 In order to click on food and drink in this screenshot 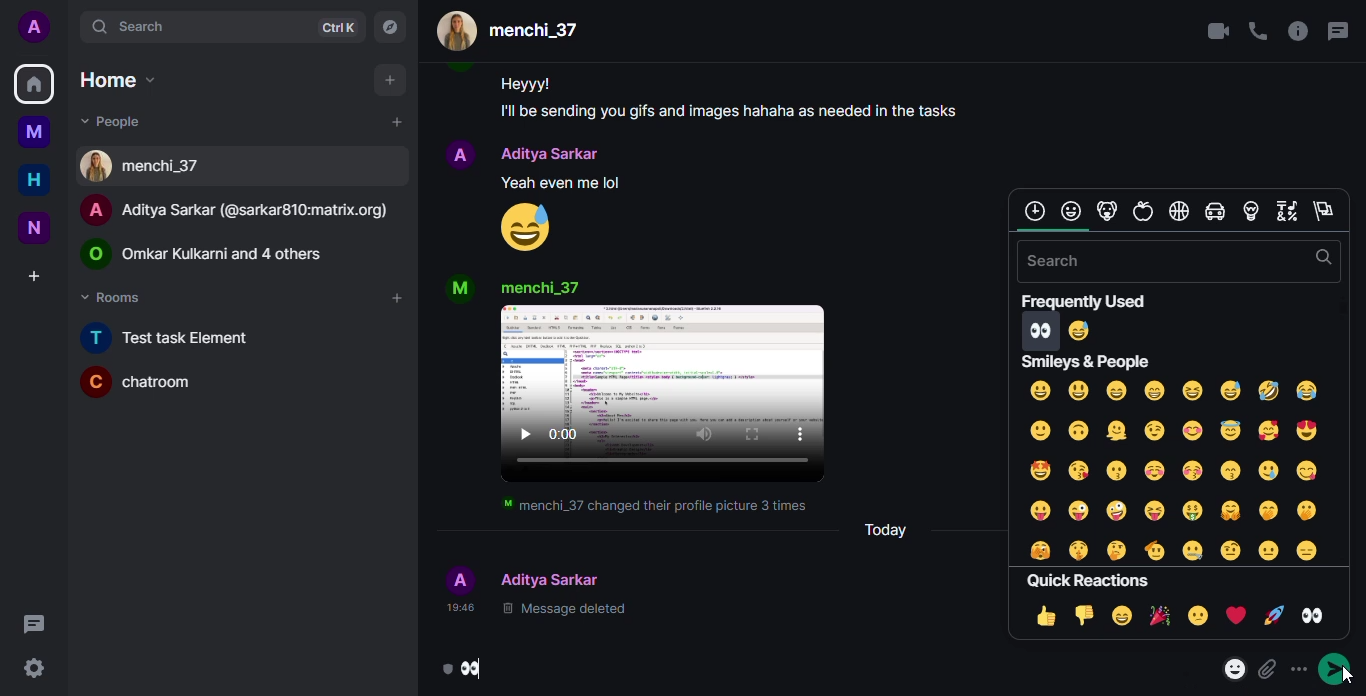, I will do `click(1142, 212)`.